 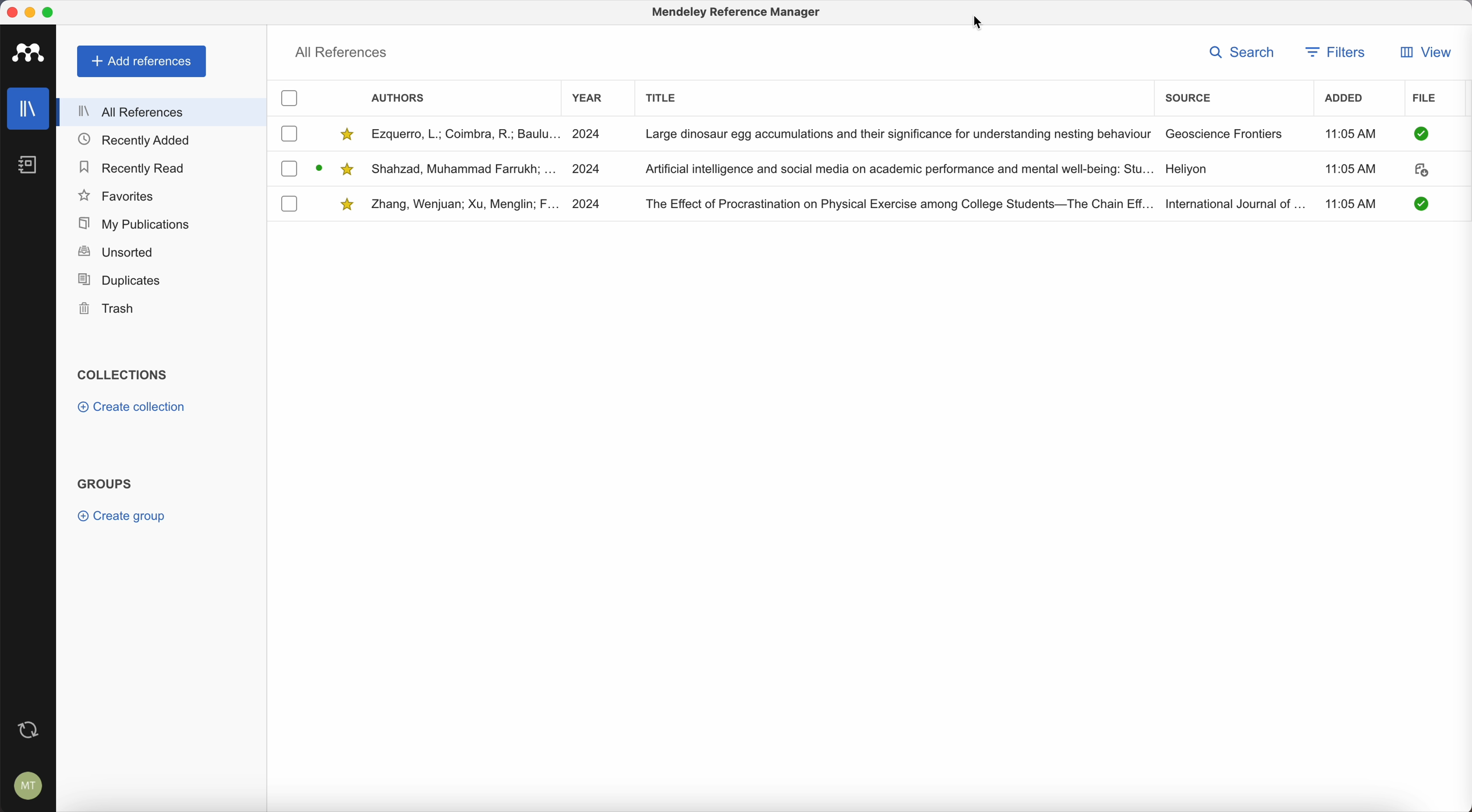 I want to click on library, so click(x=30, y=110).